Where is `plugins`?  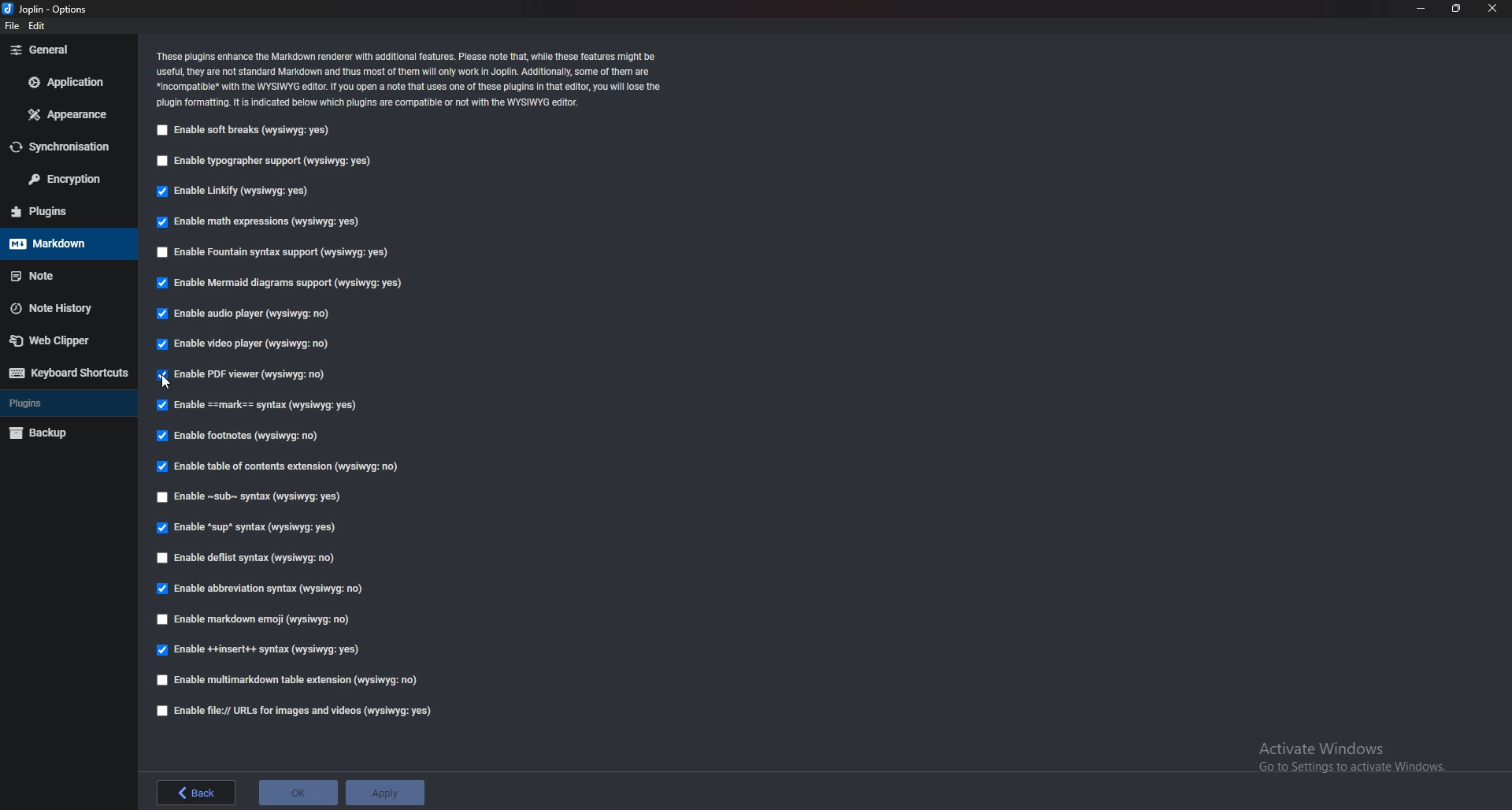 plugins is located at coordinates (61, 210).